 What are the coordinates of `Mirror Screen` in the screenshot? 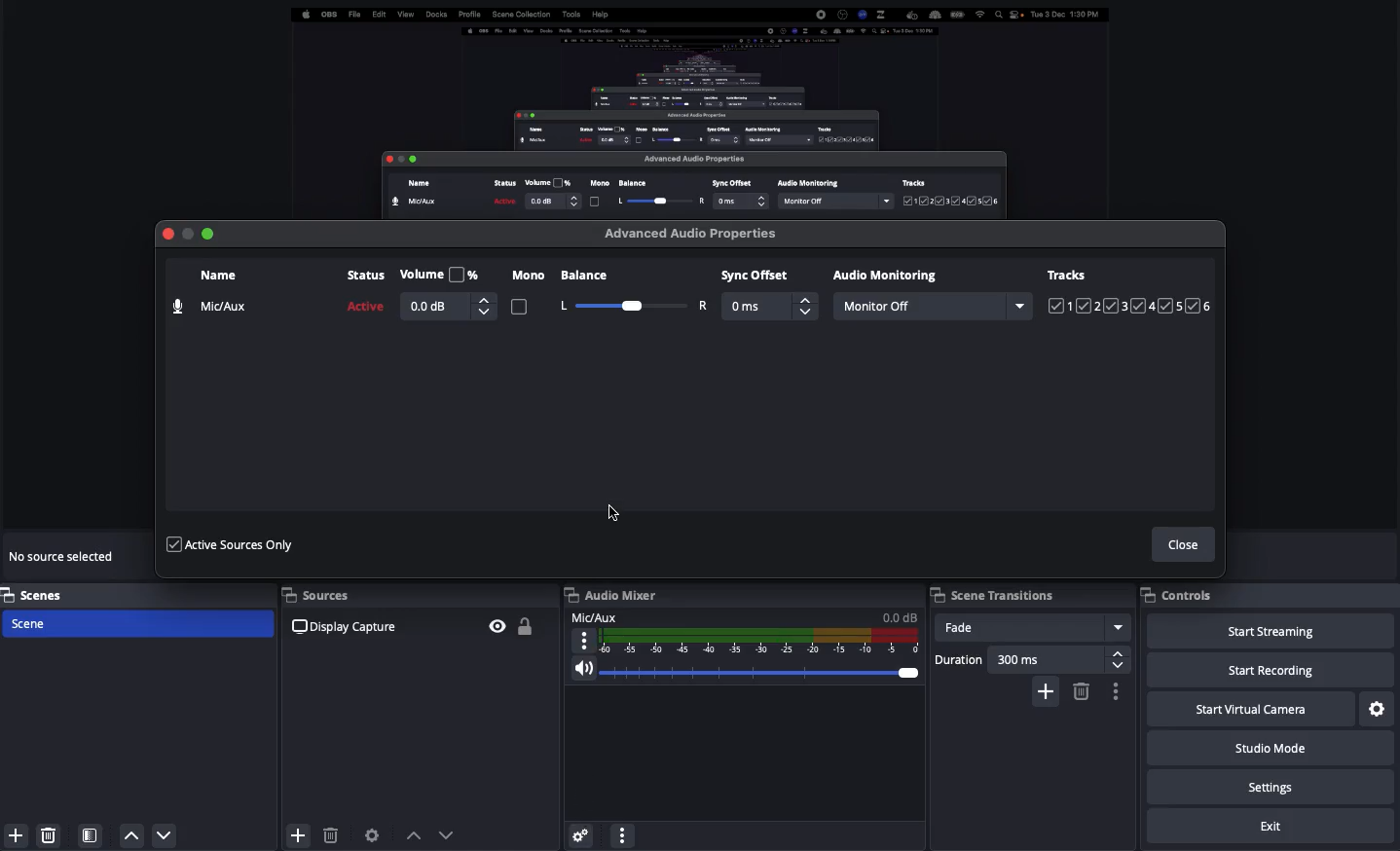 It's located at (699, 108).